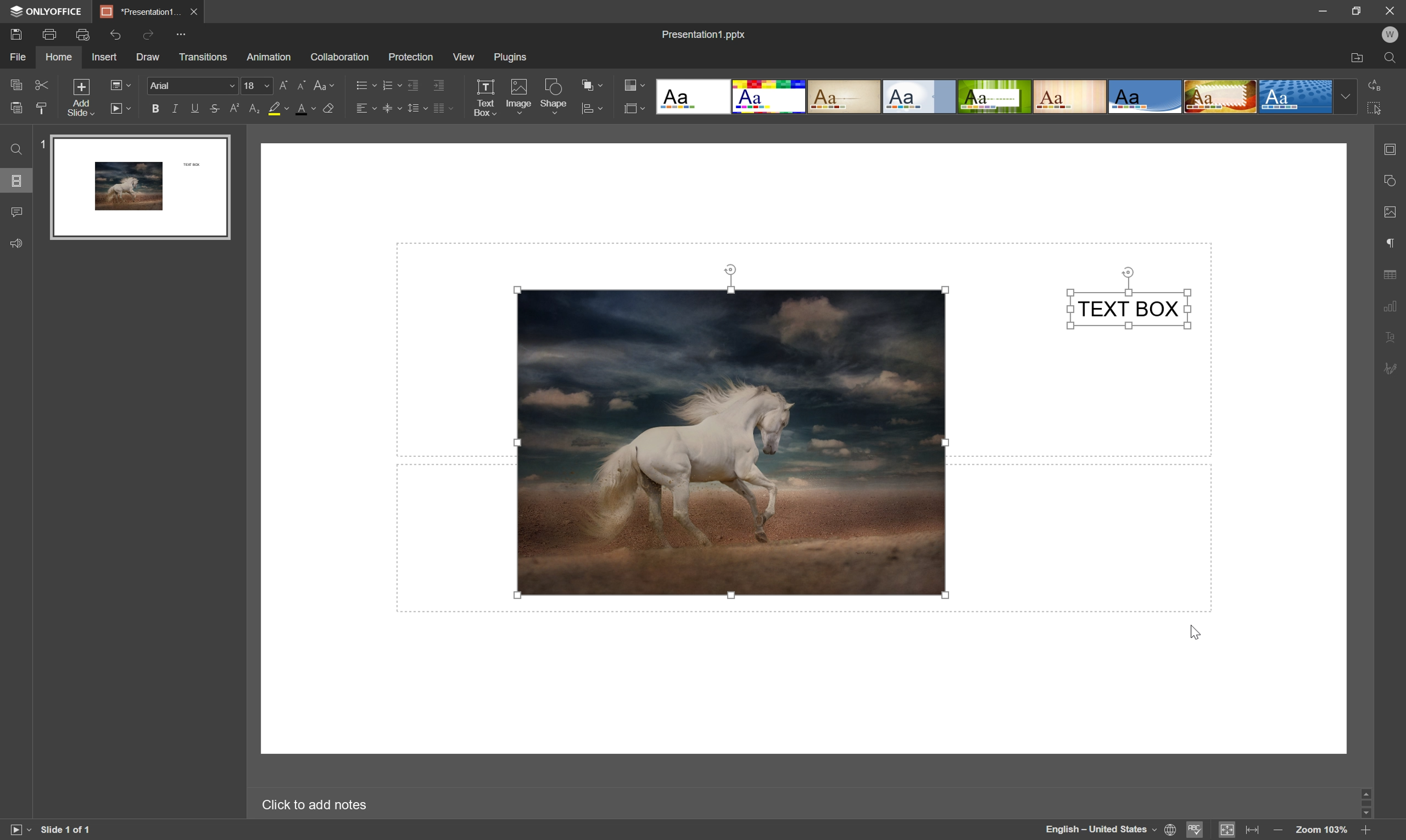 This screenshot has height=840, width=1406. I want to click on onlyoffice, so click(48, 11).